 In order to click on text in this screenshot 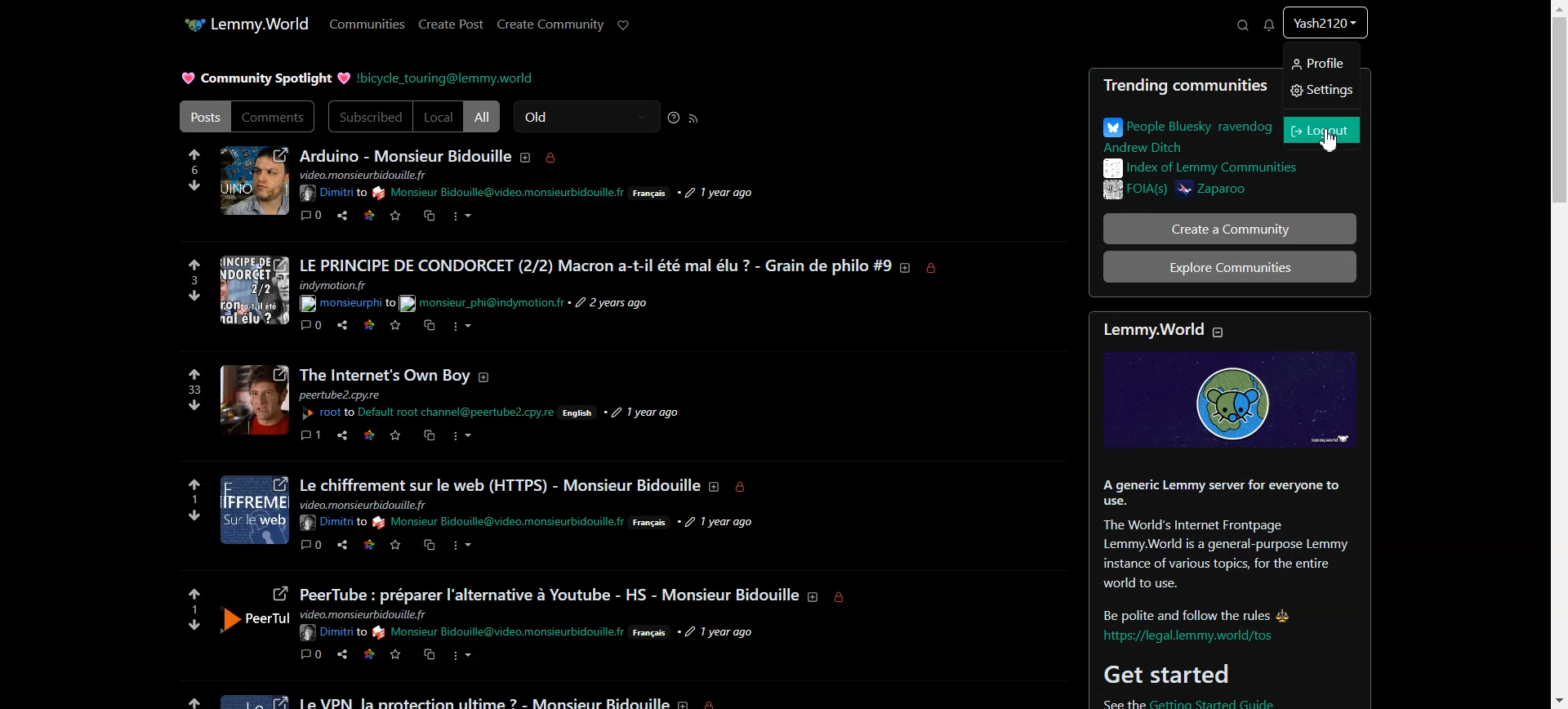, I will do `click(499, 480)`.